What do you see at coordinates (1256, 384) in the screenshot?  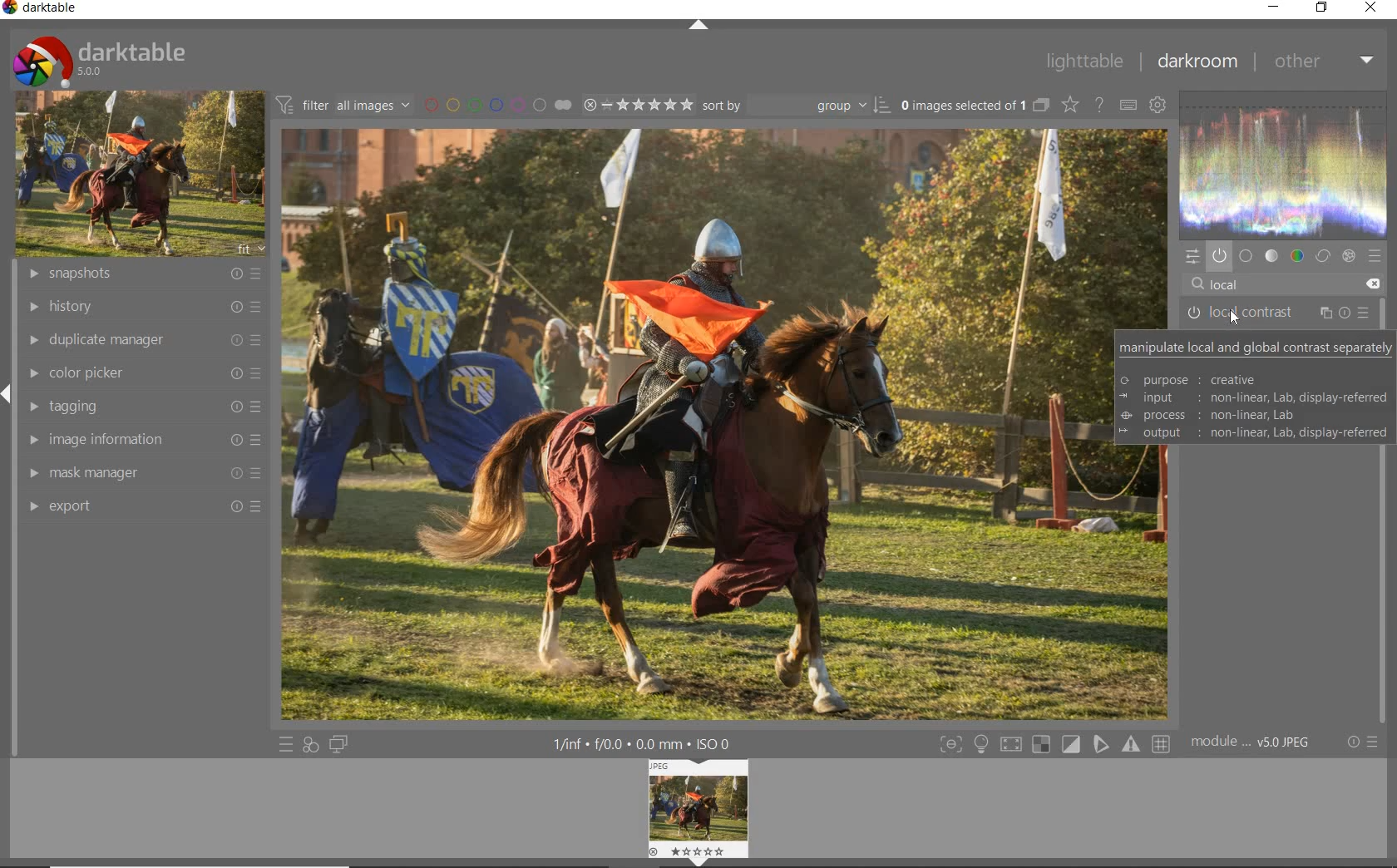 I see `| manipulate local and global contrast separatel
| © purpose : creative

+ input non-linear, Lab, display-referrec
| @ process : non-linear, Lab

|» output : non-linear, Lab, display-referrec` at bounding box center [1256, 384].